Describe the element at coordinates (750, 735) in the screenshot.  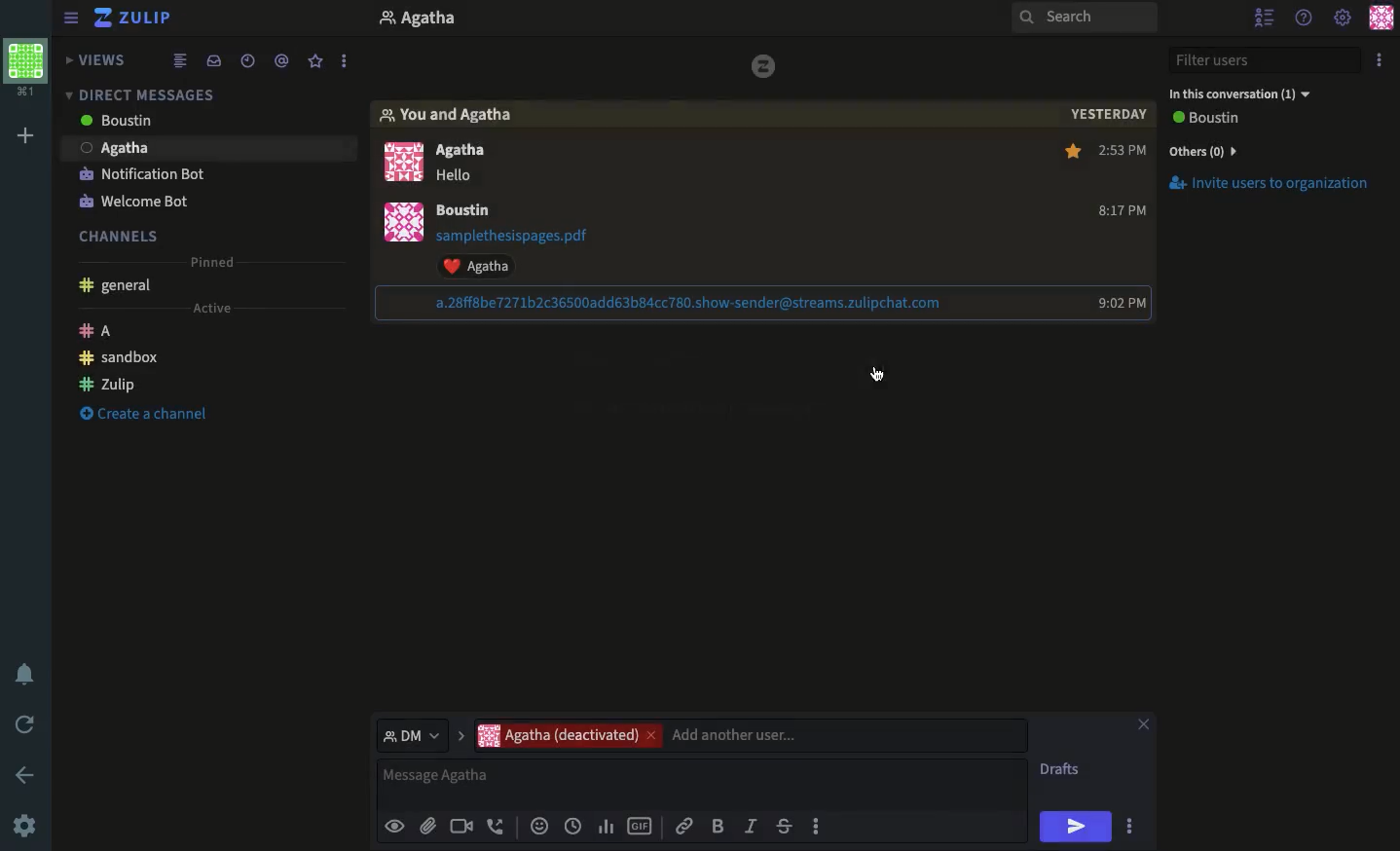
I see `Users` at that location.